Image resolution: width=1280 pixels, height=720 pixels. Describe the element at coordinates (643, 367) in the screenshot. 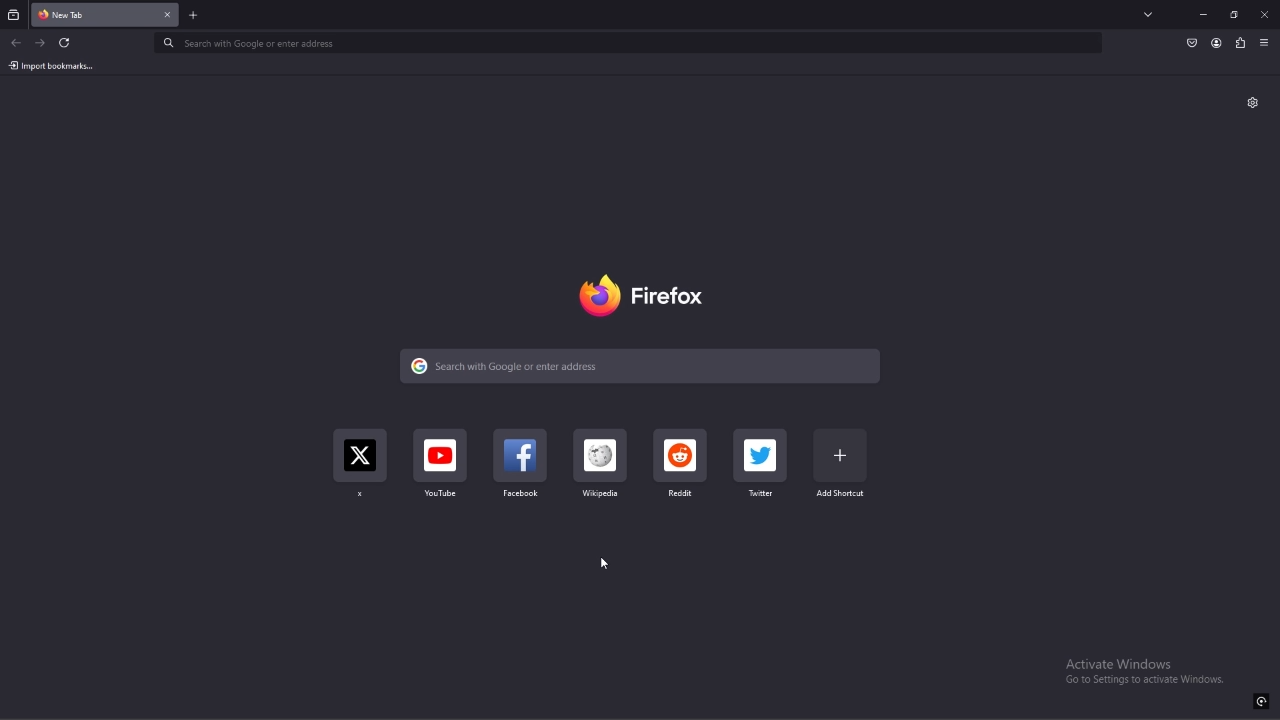

I see `search bar` at that location.